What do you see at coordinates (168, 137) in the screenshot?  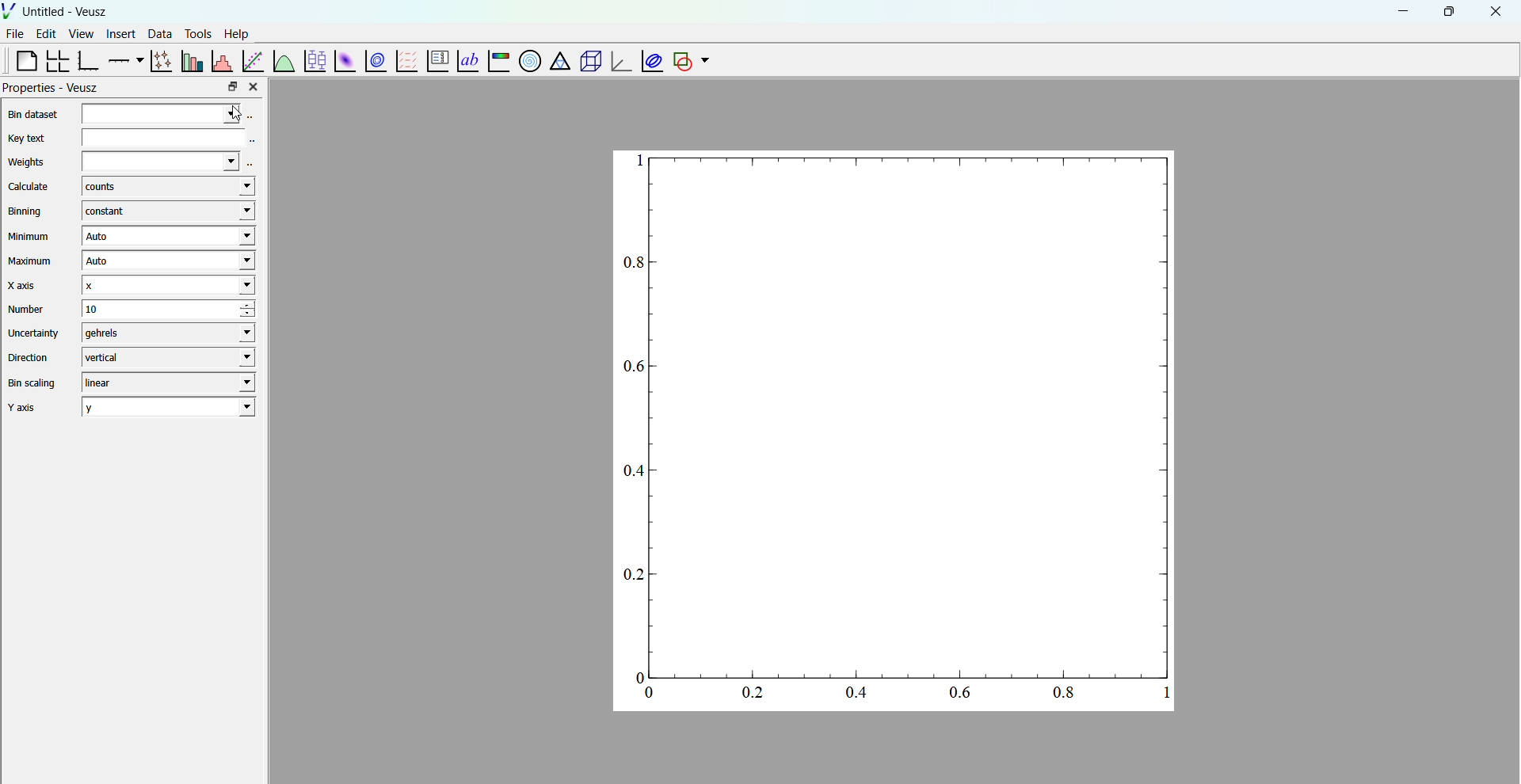 I see `Key Text Area` at bounding box center [168, 137].